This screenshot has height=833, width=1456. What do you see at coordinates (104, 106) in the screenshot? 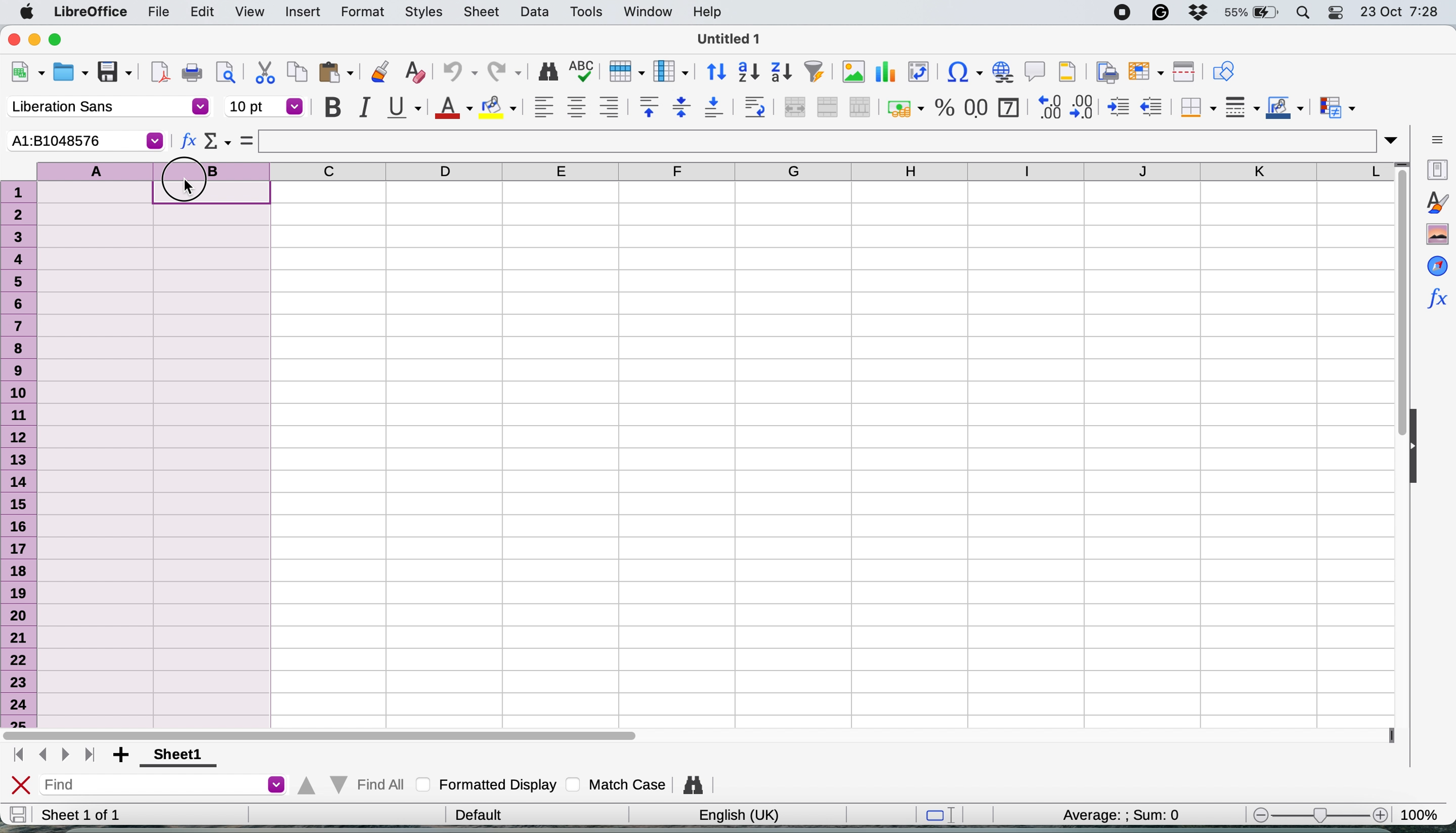
I see `font` at bounding box center [104, 106].